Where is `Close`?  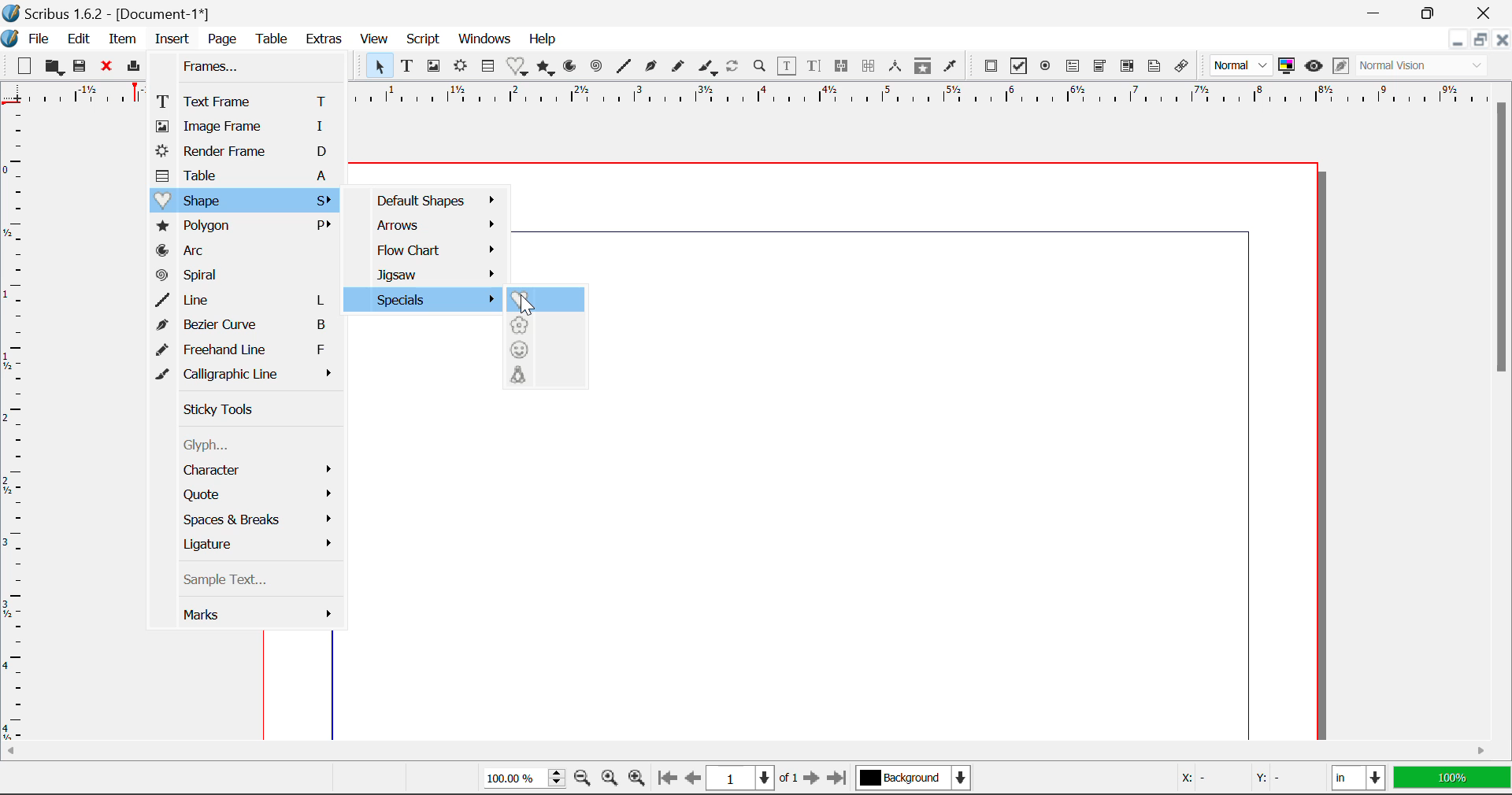 Close is located at coordinates (1503, 42).